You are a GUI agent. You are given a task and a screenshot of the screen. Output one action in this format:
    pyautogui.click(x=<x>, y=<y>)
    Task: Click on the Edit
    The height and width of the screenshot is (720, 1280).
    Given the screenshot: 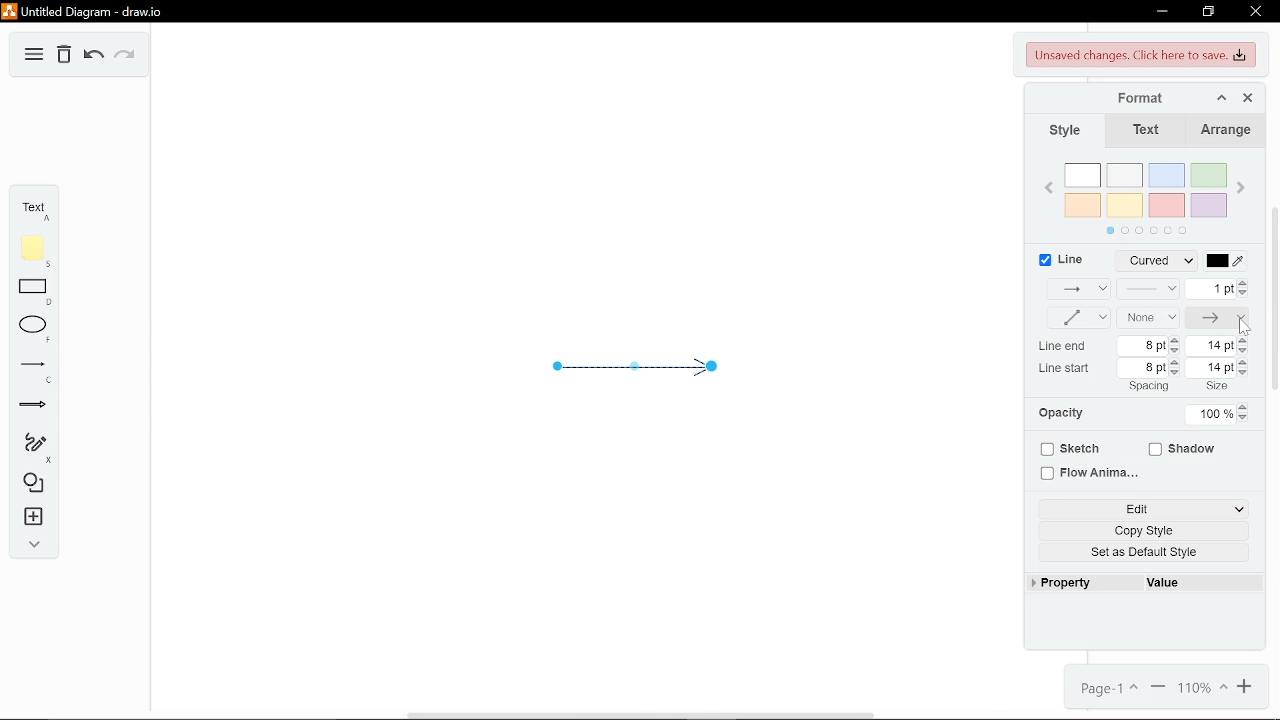 What is the action you would take?
    pyautogui.click(x=1142, y=509)
    